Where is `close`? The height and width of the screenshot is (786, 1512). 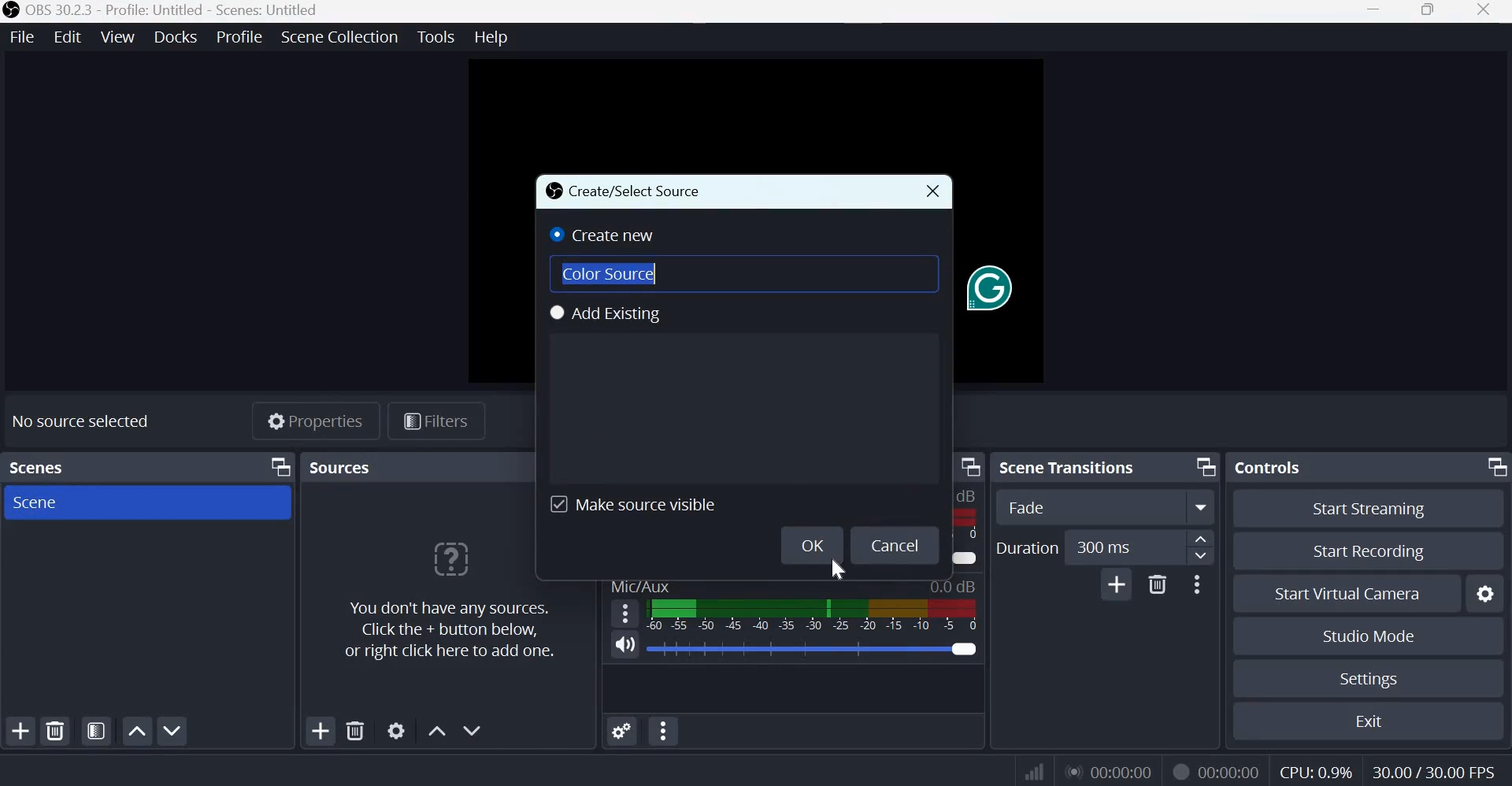 close is located at coordinates (933, 191).